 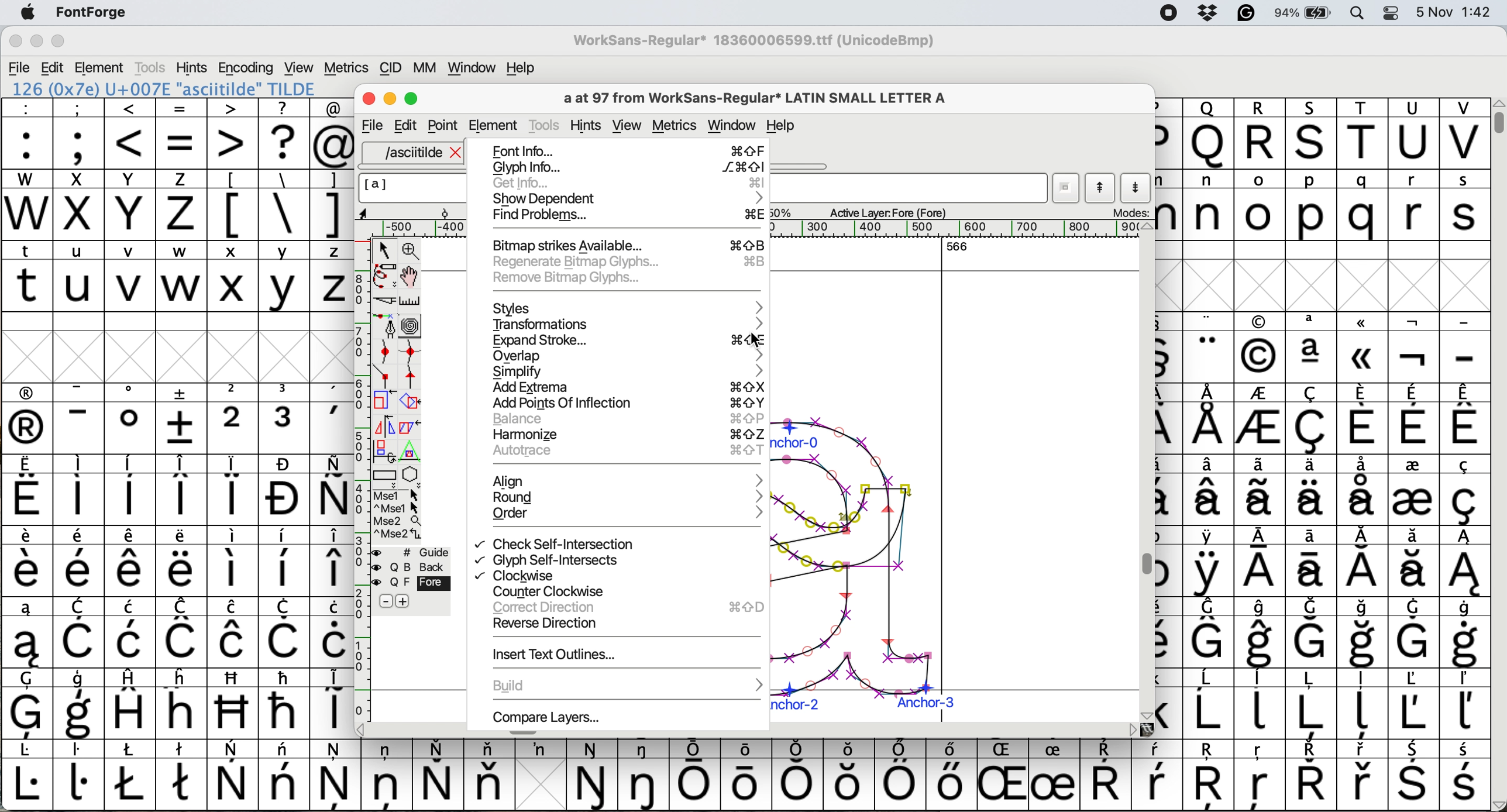 What do you see at coordinates (15, 43) in the screenshot?
I see `close` at bounding box center [15, 43].